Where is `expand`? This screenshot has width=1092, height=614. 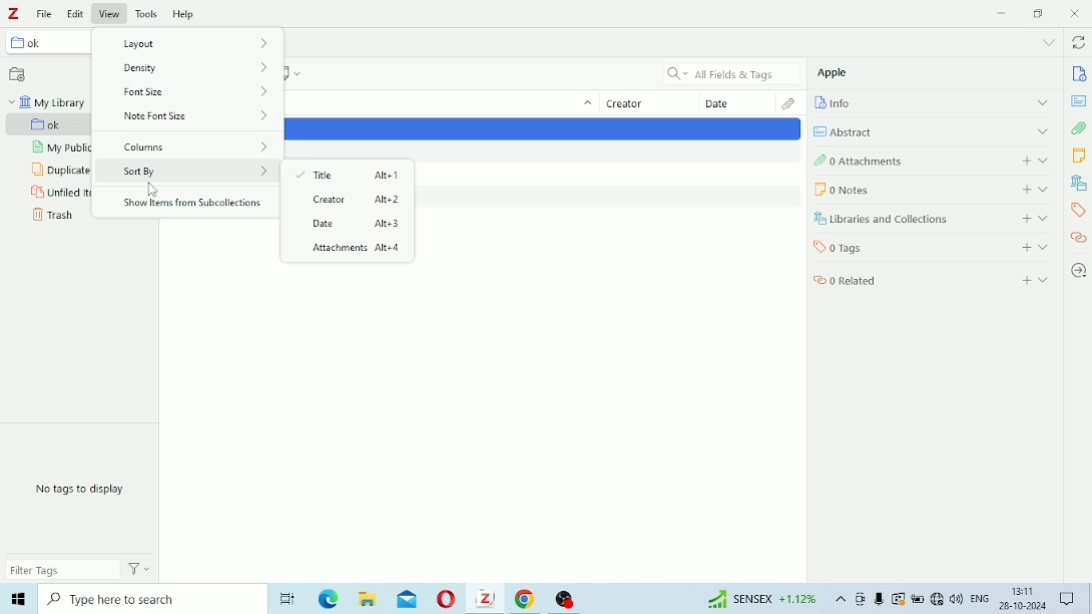
expand is located at coordinates (1046, 189).